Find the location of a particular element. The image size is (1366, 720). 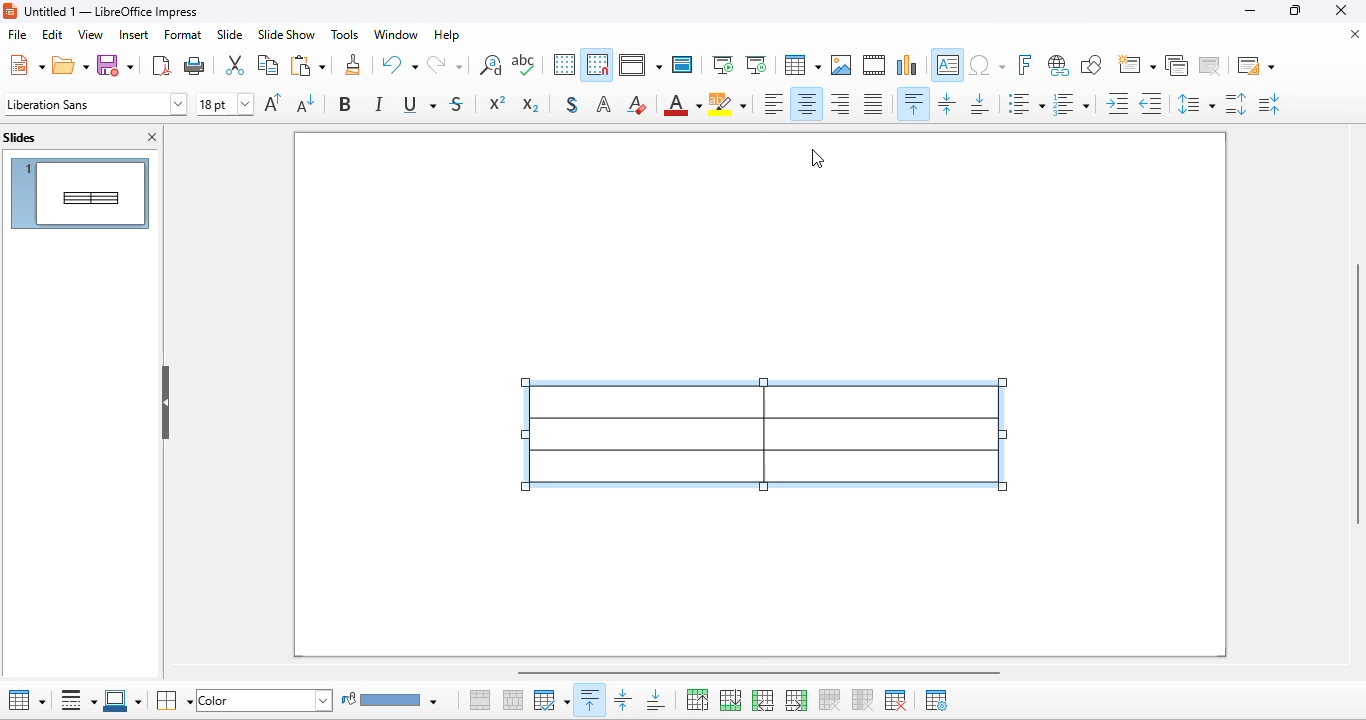

toggle unordered list is located at coordinates (1026, 103).